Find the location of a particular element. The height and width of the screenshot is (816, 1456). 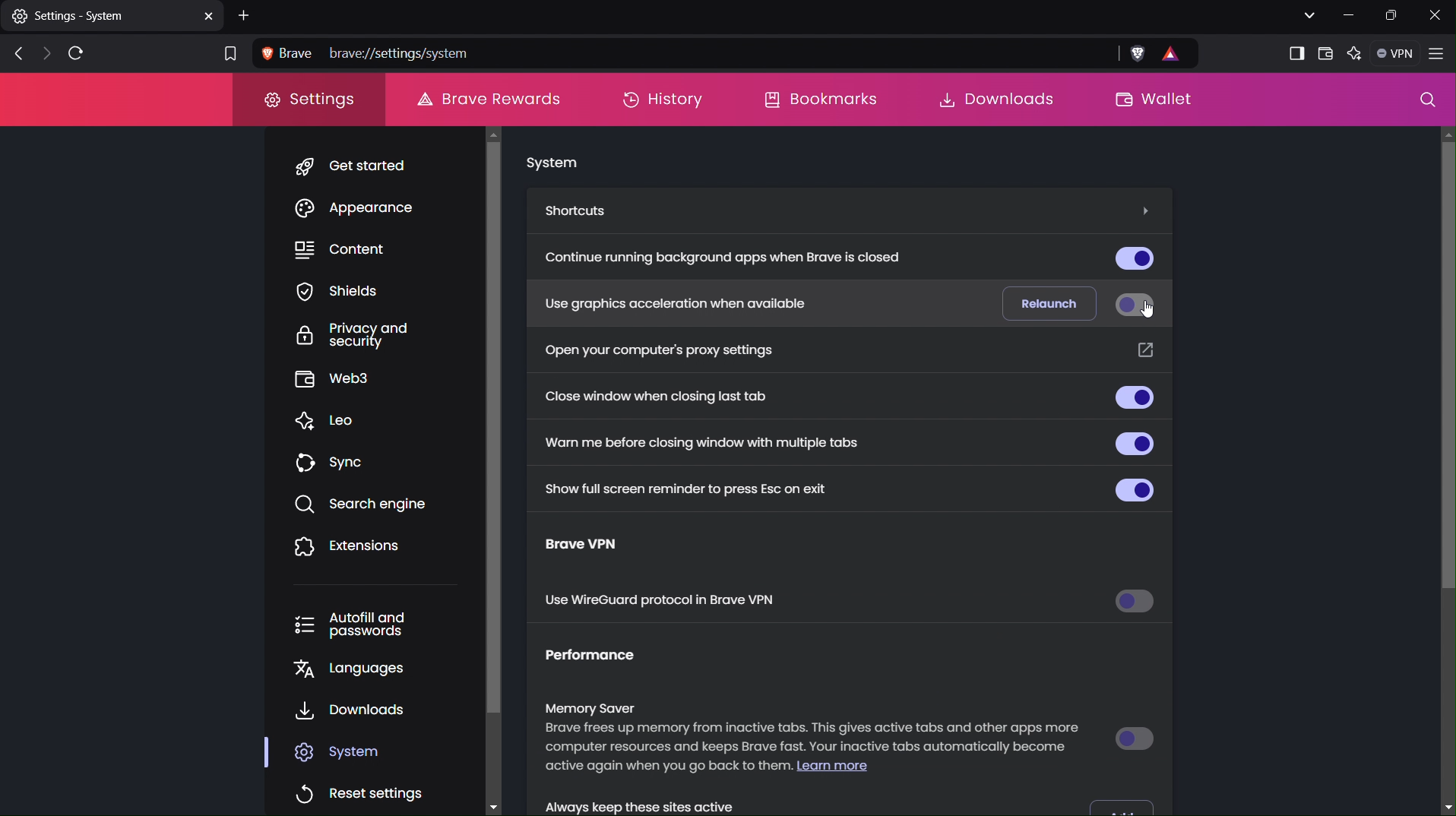

Application Menu is located at coordinates (1438, 55).